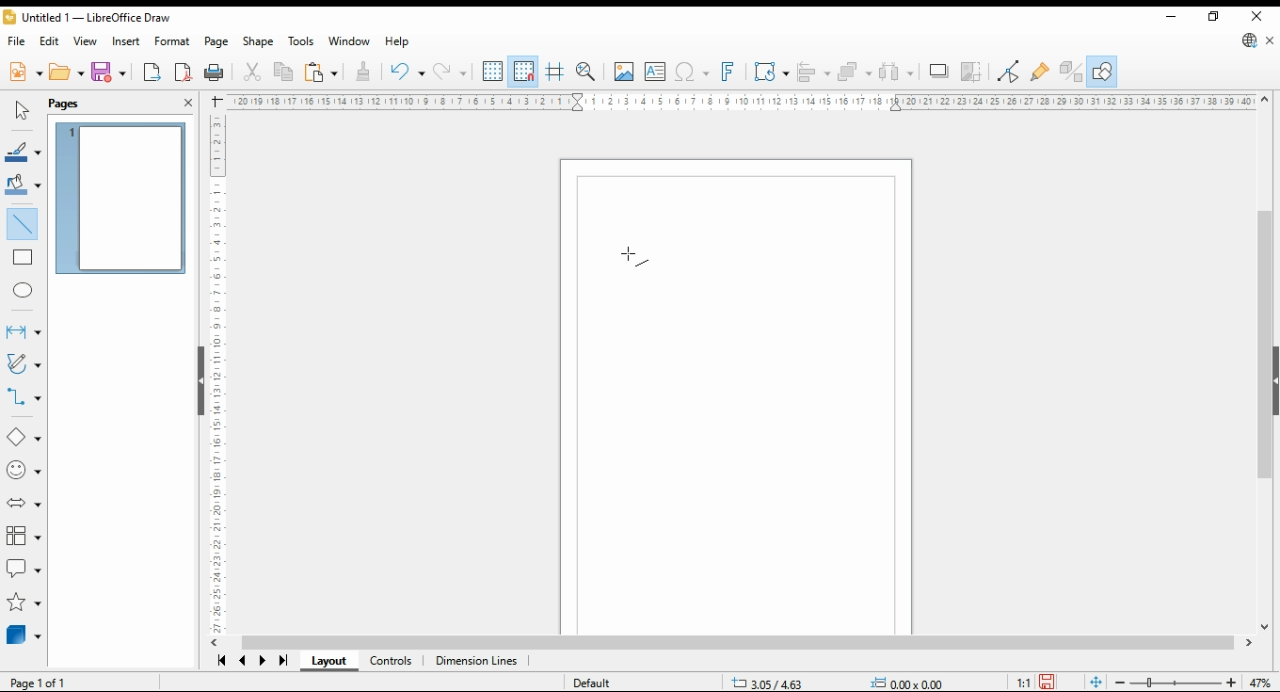 The image size is (1280, 692). What do you see at coordinates (187, 101) in the screenshot?
I see `close pane` at bounding box center [187, 101].